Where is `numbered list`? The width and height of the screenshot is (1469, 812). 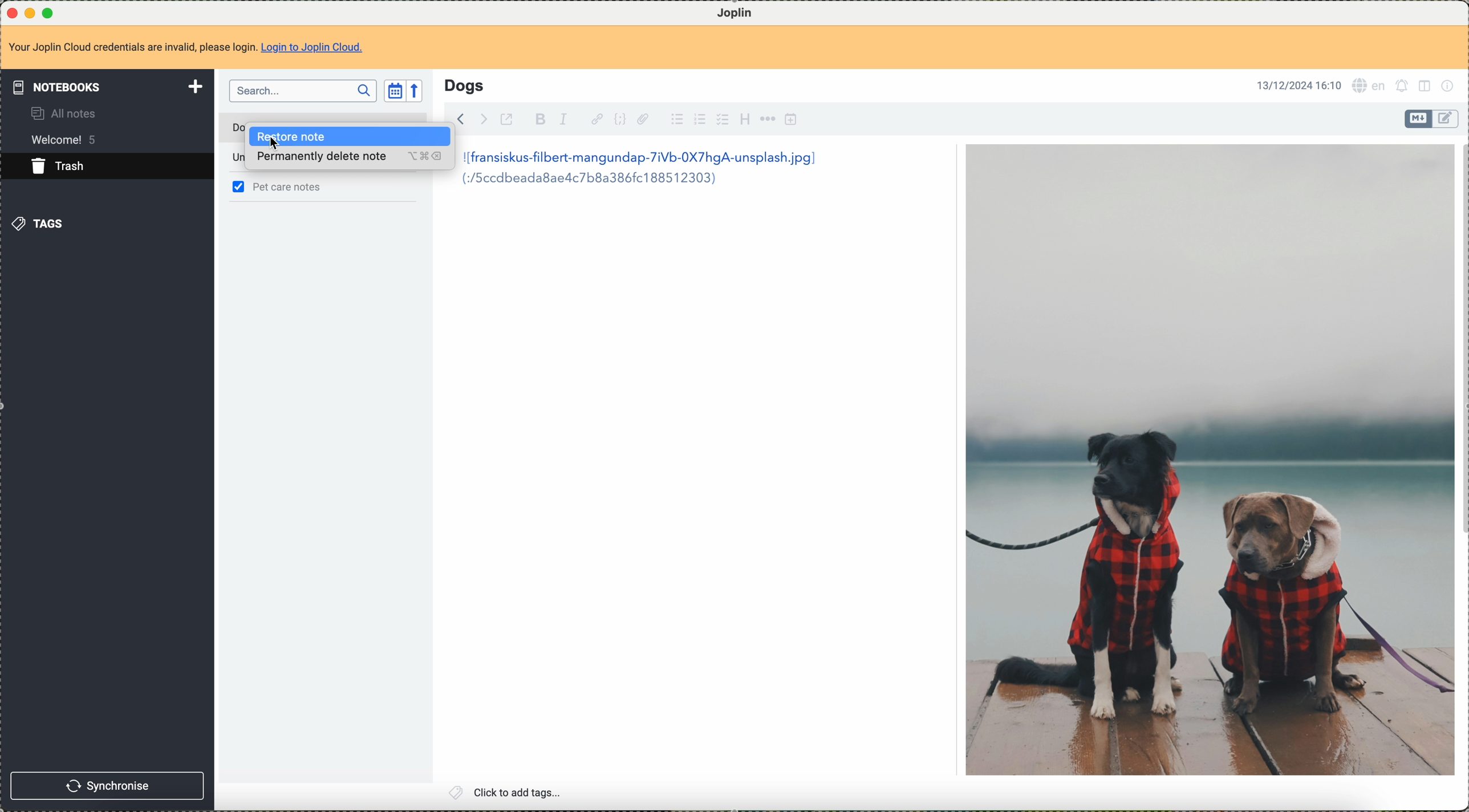 numbered list is located at coordinates (699, 120).